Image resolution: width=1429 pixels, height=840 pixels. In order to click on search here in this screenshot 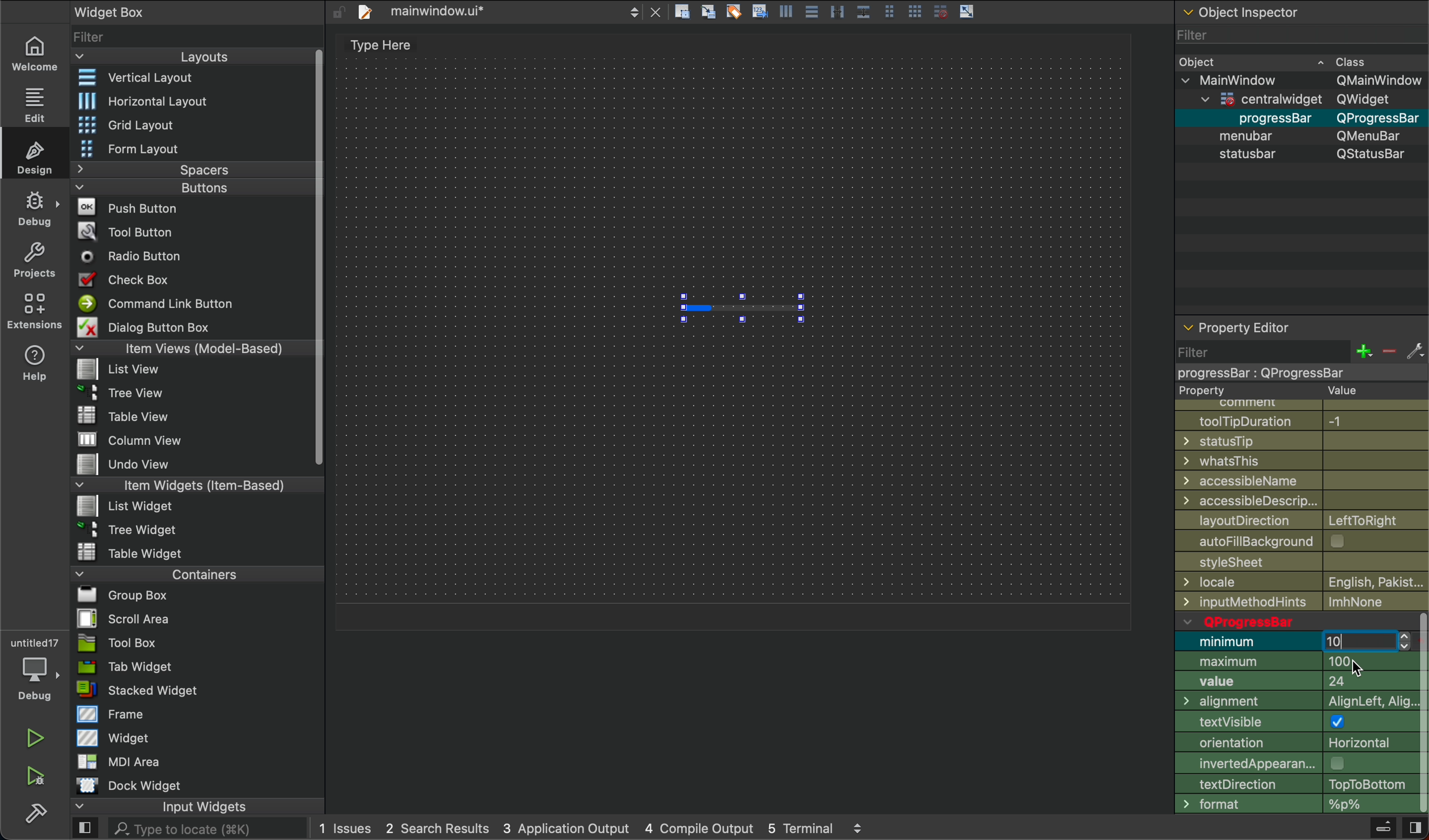, I will do `click(206, 829)`.